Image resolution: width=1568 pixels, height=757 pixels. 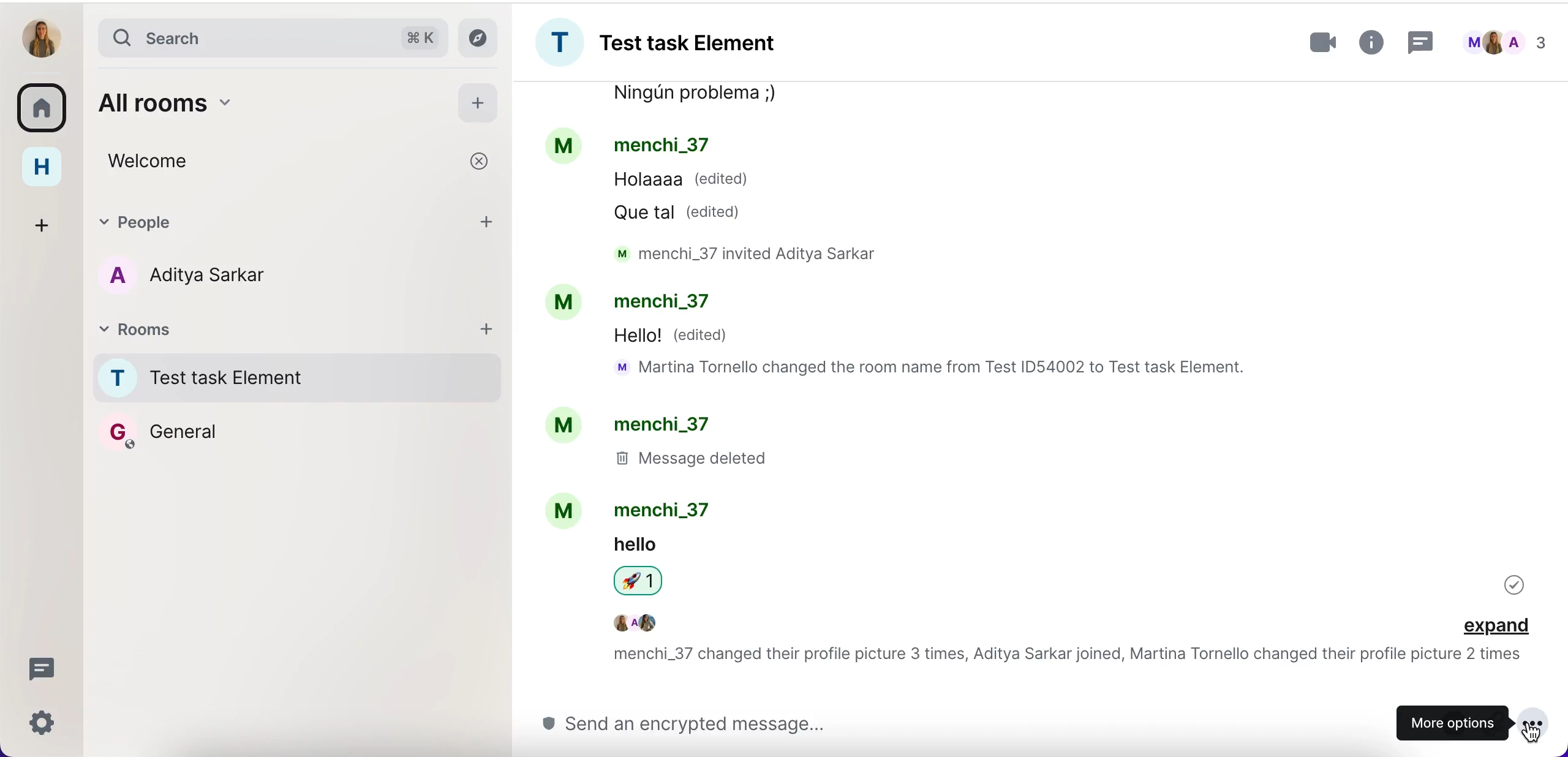 I want to click on delivered, so click(x=1515, y=584).